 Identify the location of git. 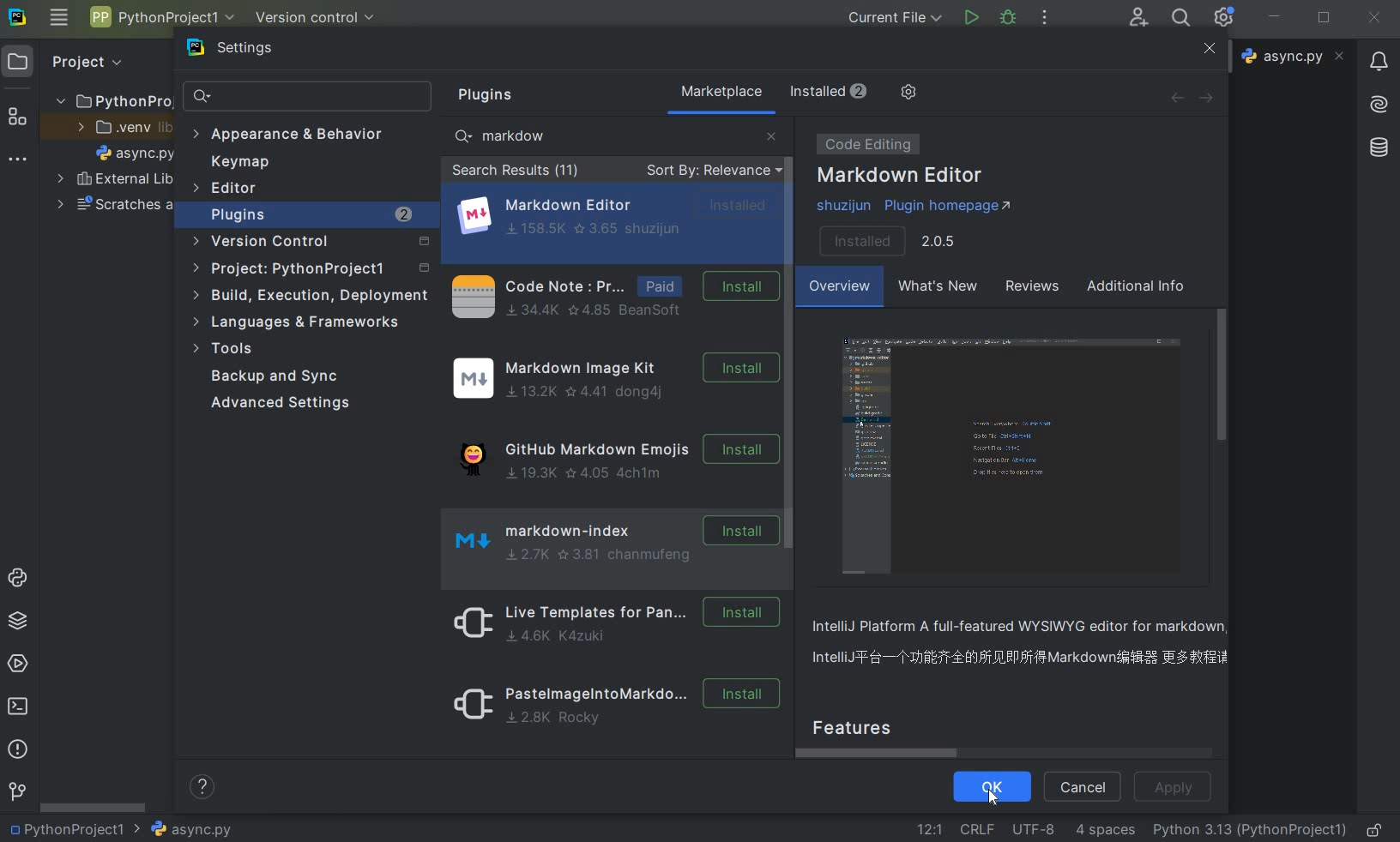
(16, 792).